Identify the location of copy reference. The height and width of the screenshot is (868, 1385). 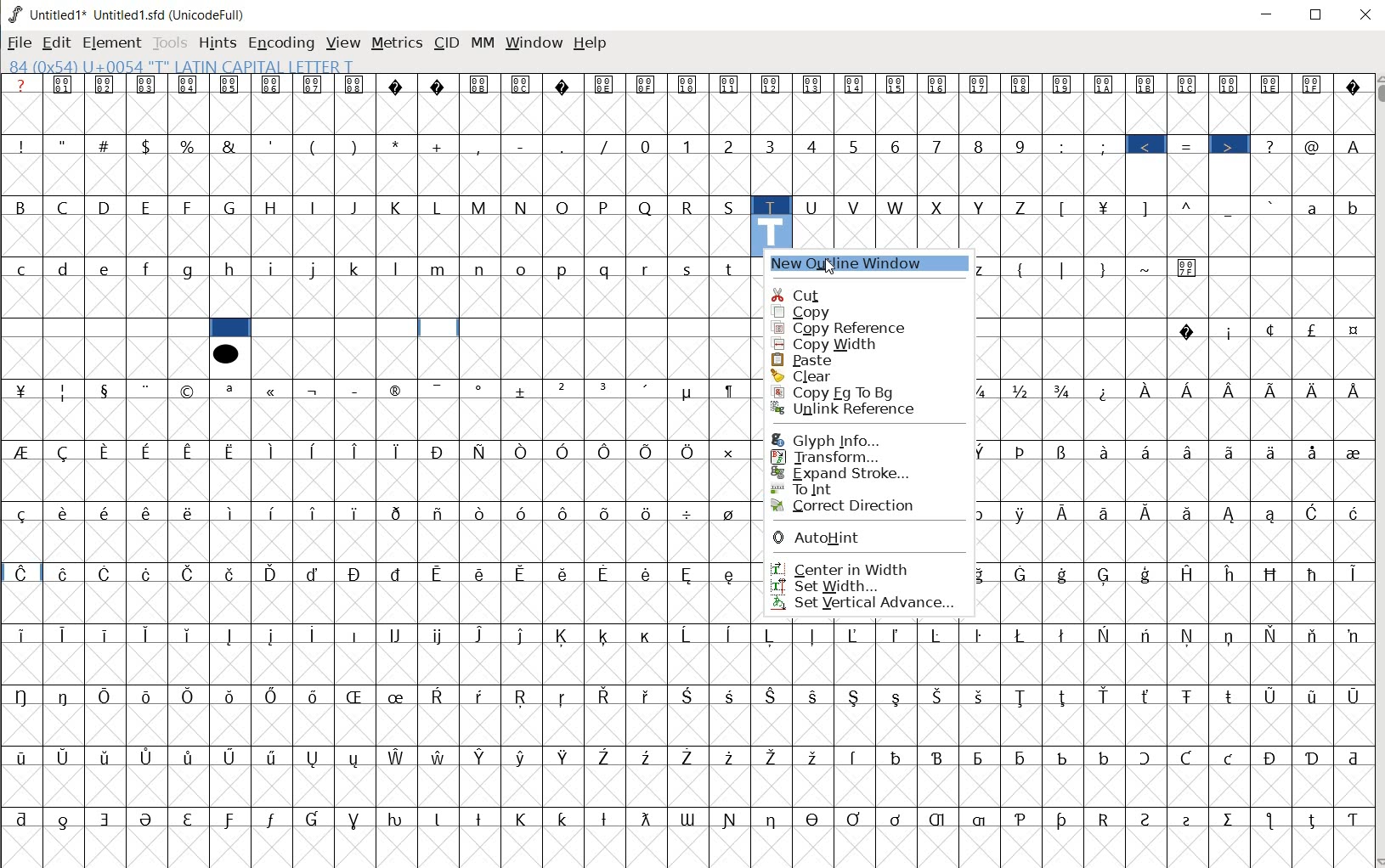
(839, 327).